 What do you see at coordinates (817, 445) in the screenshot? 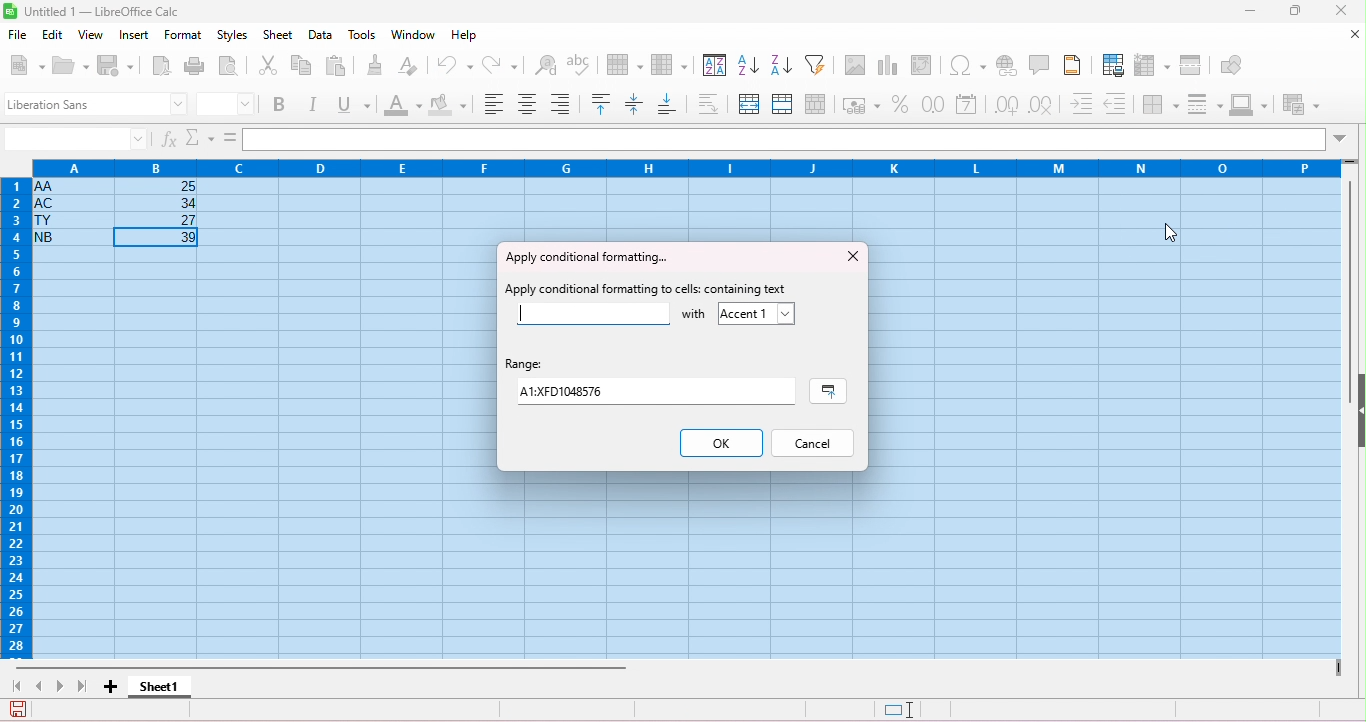
I see `cancel` at bounding box center [817, 445].